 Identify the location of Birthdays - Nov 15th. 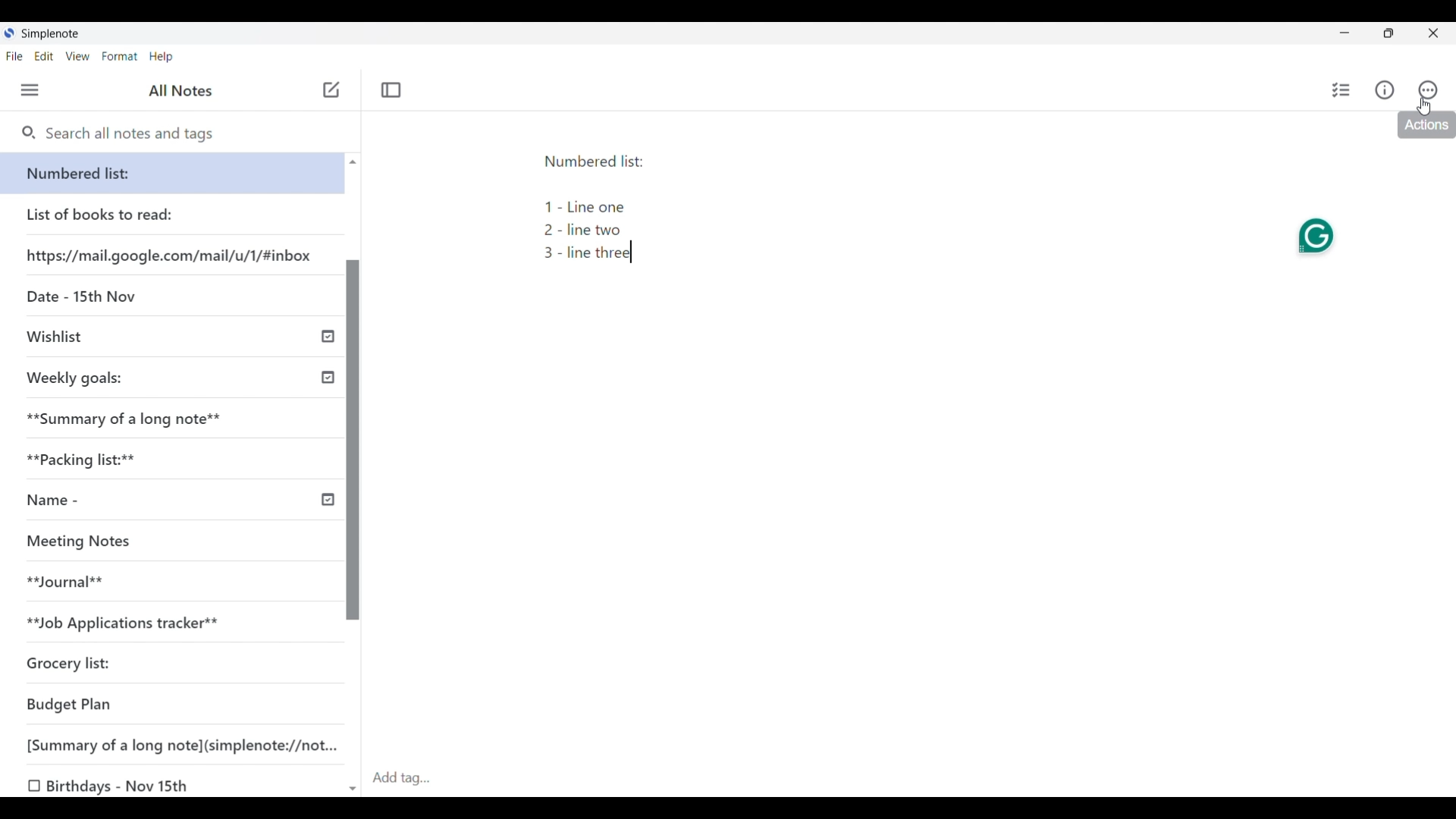
(124, 784).